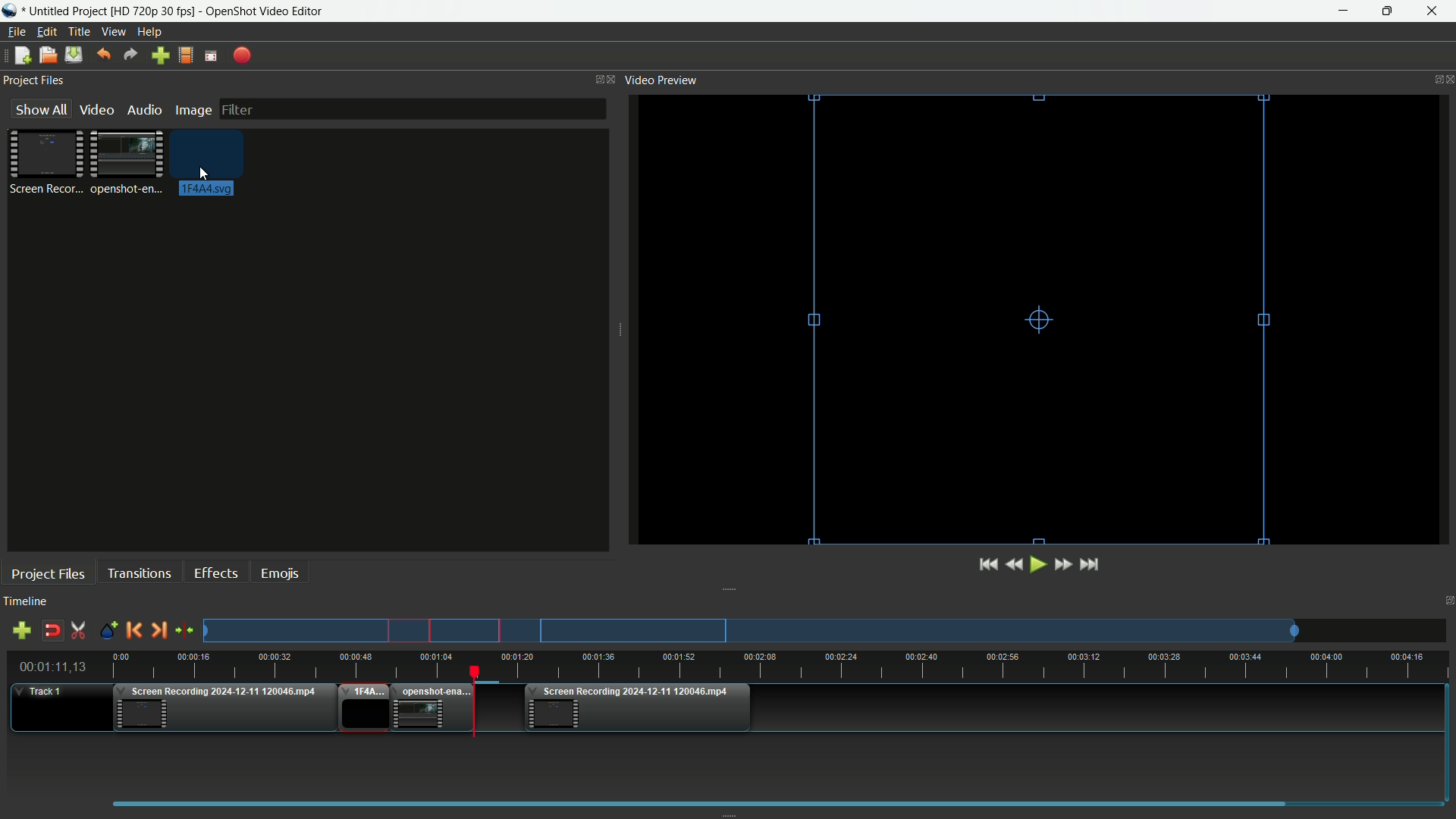 The width and height of the screenshot is (1456, 819). What do you see at coordinates (222, 711) in the screenshot?
I see `Video one in timeline` at bounding box center [222, 711].